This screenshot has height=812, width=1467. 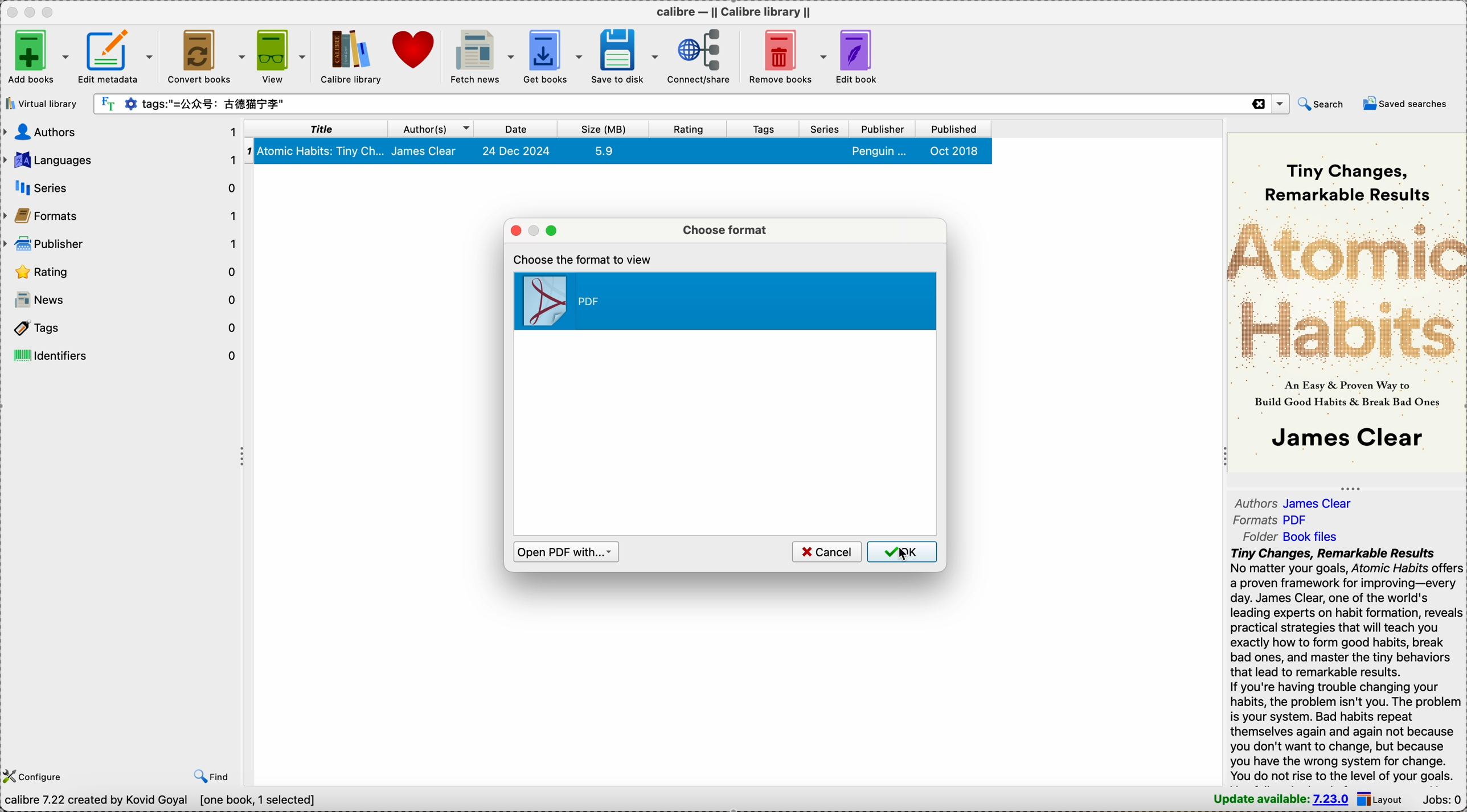 What do you see at coordinates (39, 54) in the screenshot?
I see `add books` at bounding box center [39, 54].